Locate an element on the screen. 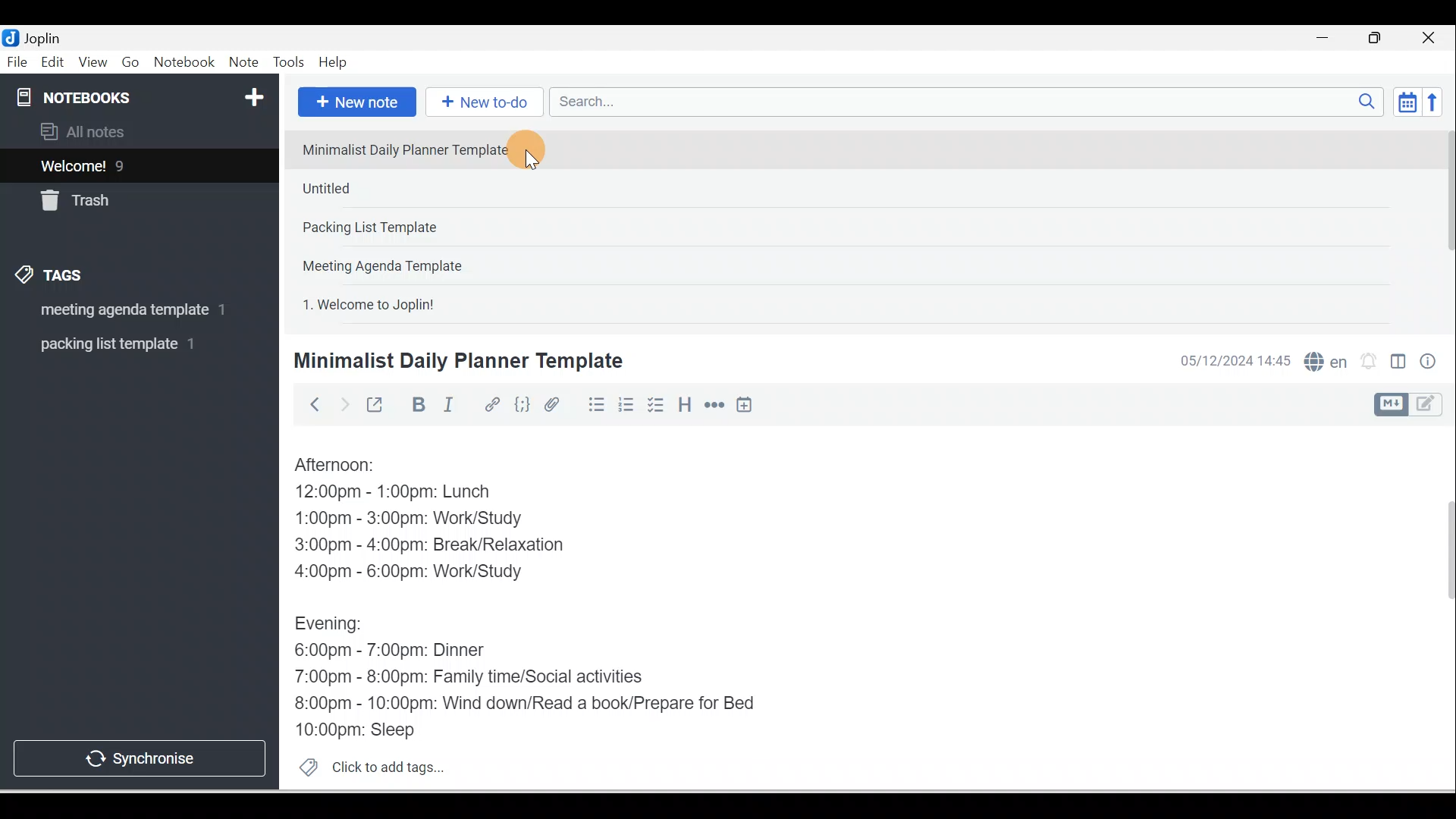  All notes is located at coordinates (137, 131).